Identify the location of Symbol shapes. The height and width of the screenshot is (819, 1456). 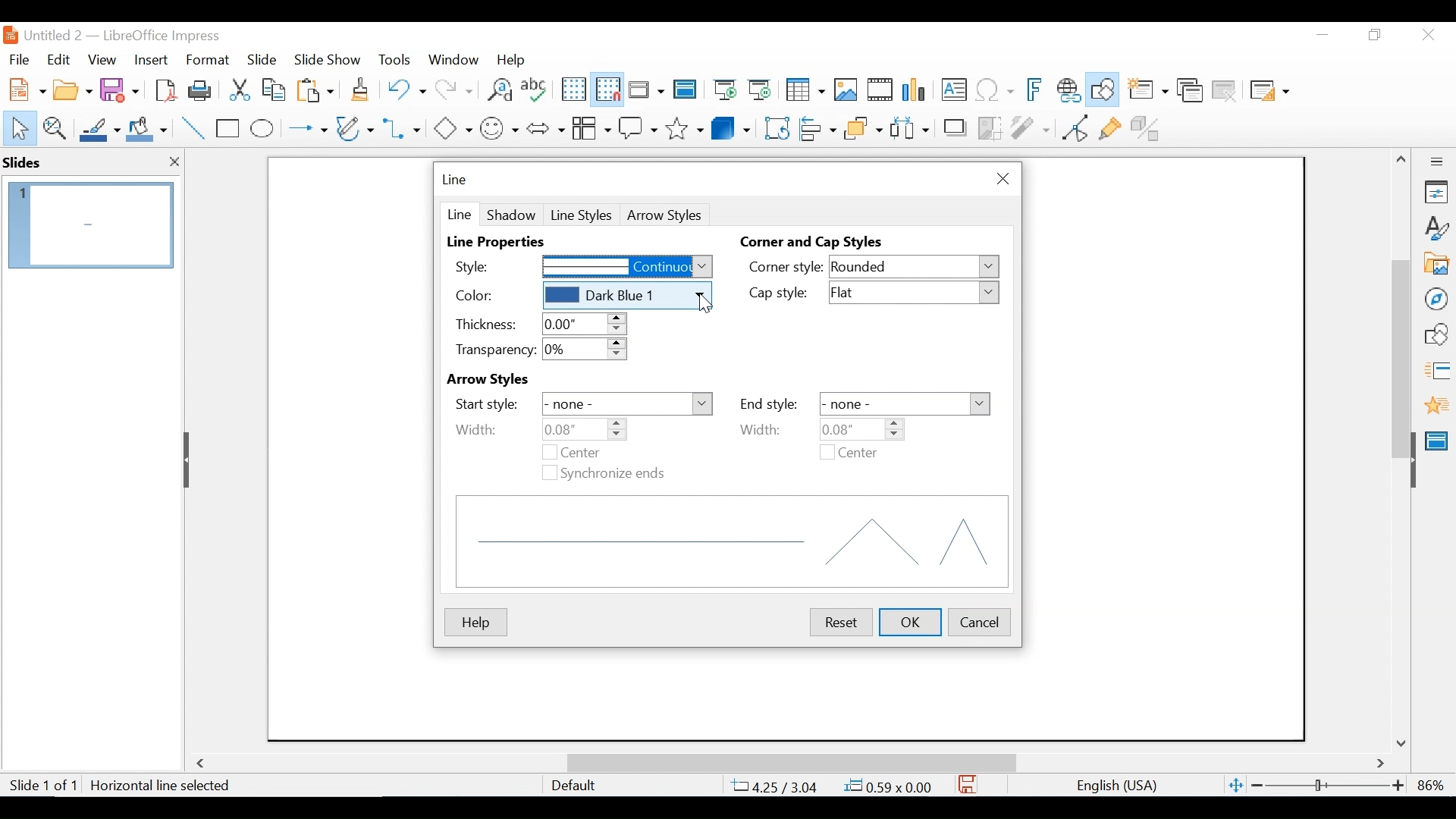
(500, 127).